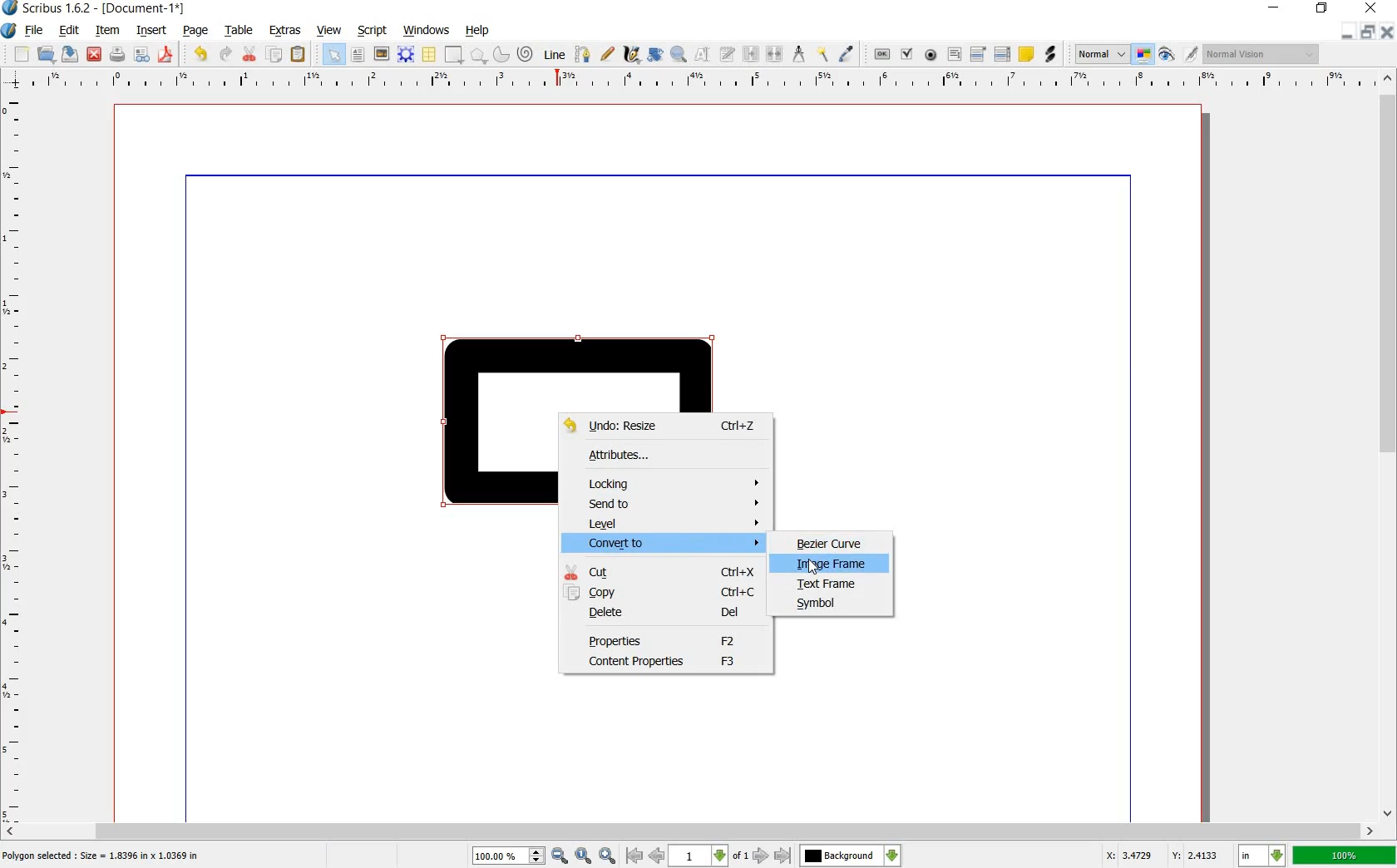 This screenshot has height=868, width=1397. Describe the element at coordinates (1322, 8) in the screenshot. I see `restore` at that location.